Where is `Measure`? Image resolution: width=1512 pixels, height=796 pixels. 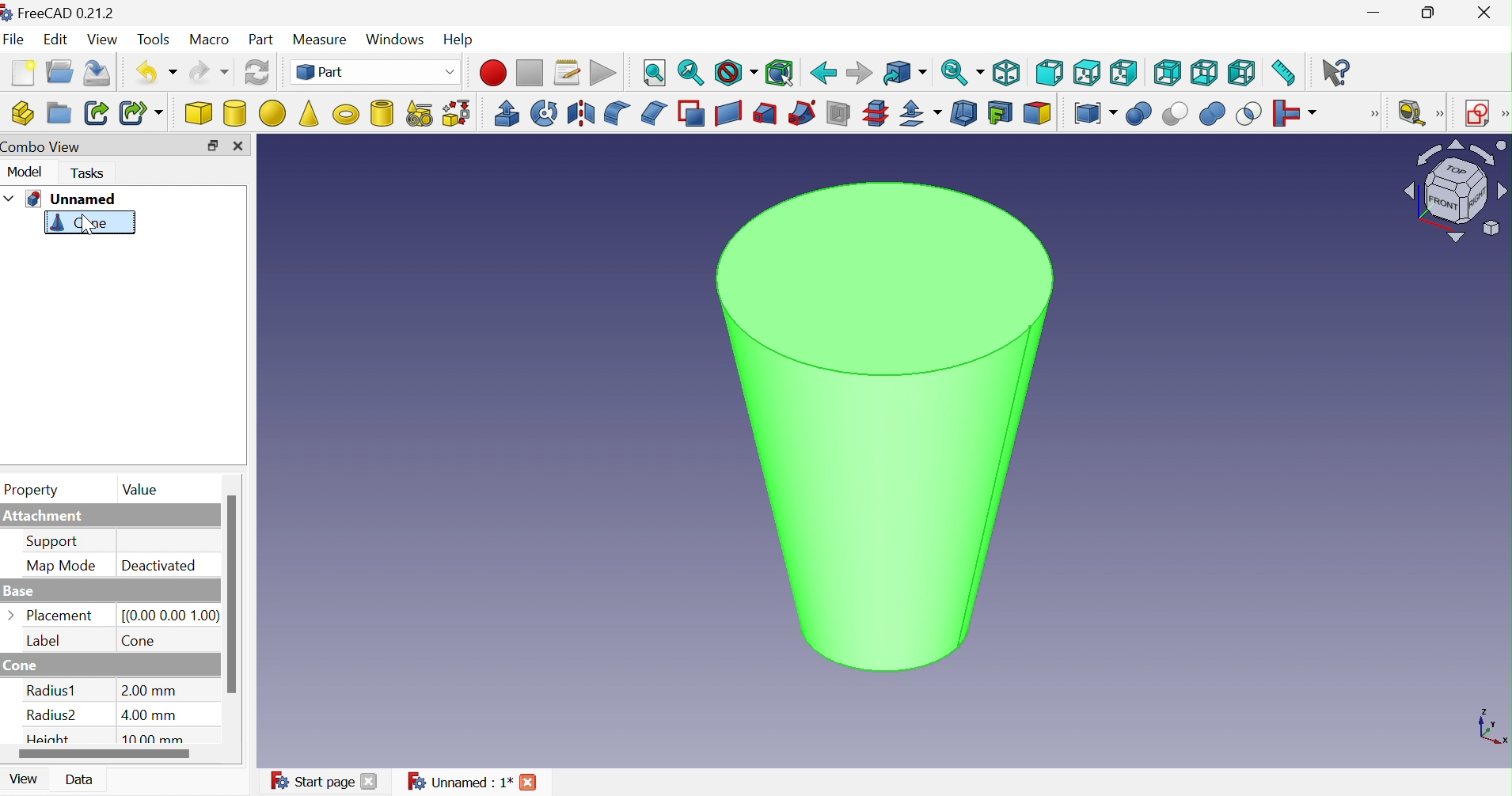
Measure is located at coordinates (319, 38).